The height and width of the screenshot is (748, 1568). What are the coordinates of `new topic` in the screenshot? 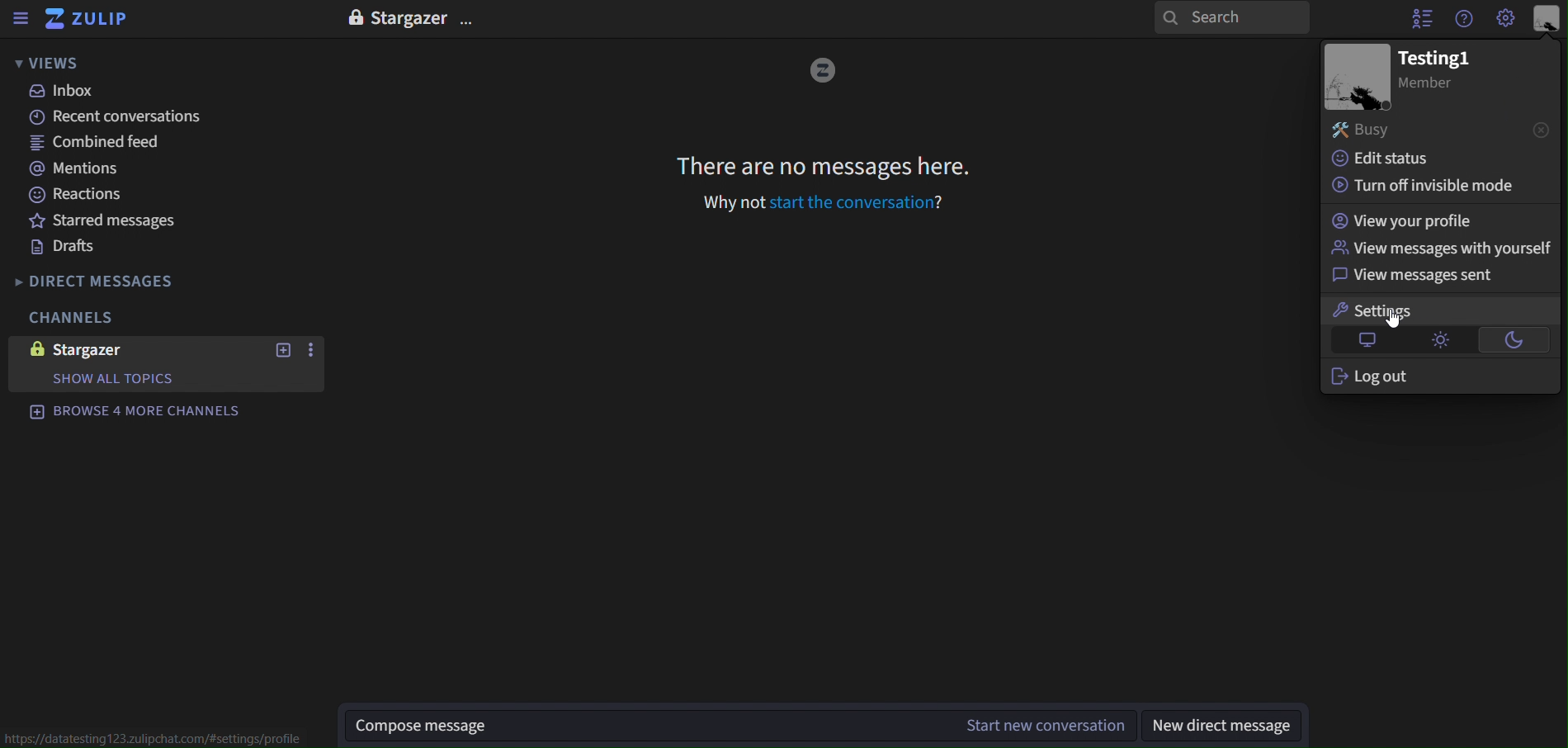 It's located at (283, 353).